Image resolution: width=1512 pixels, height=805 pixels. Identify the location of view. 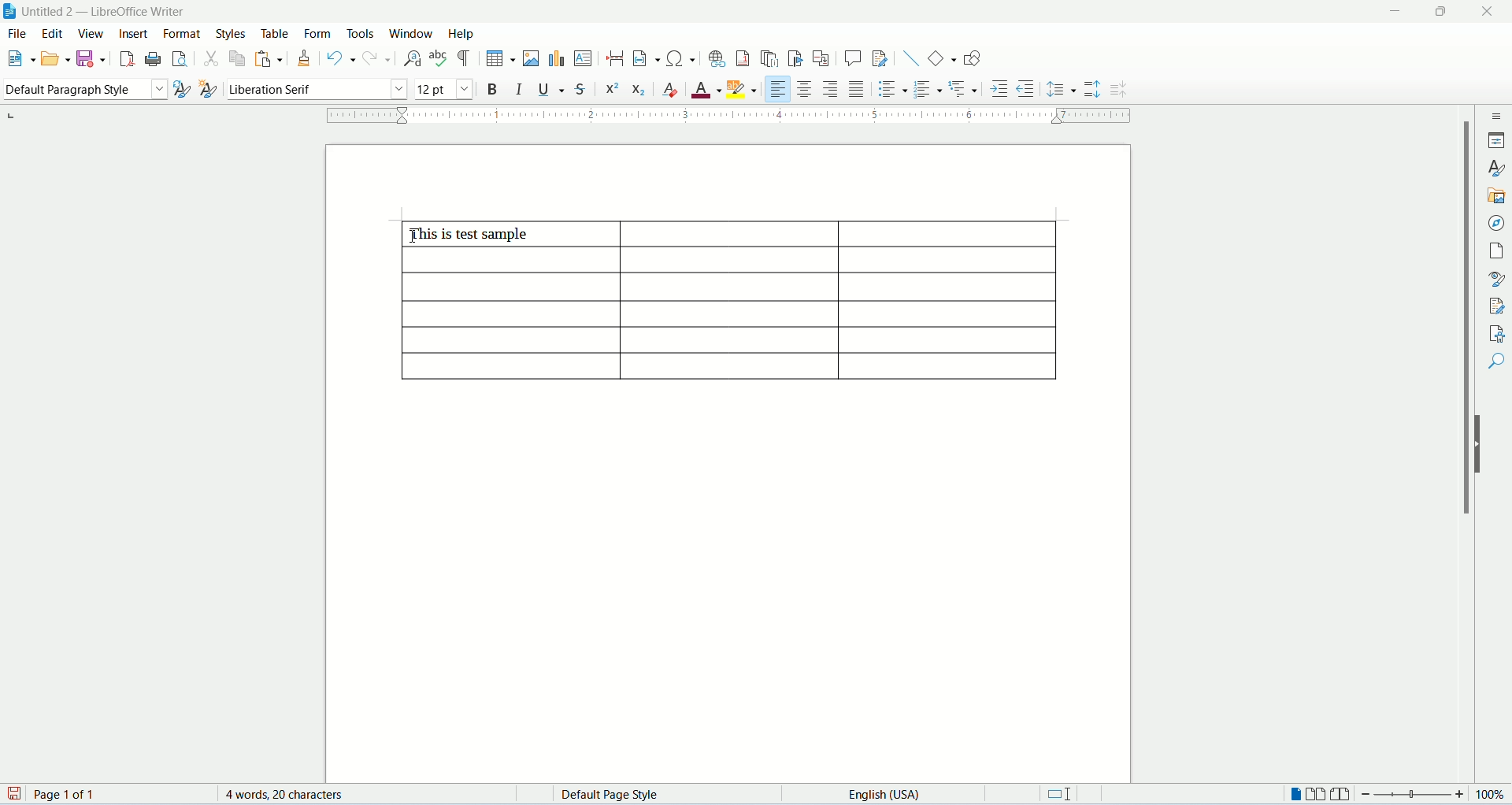
(91, 34).